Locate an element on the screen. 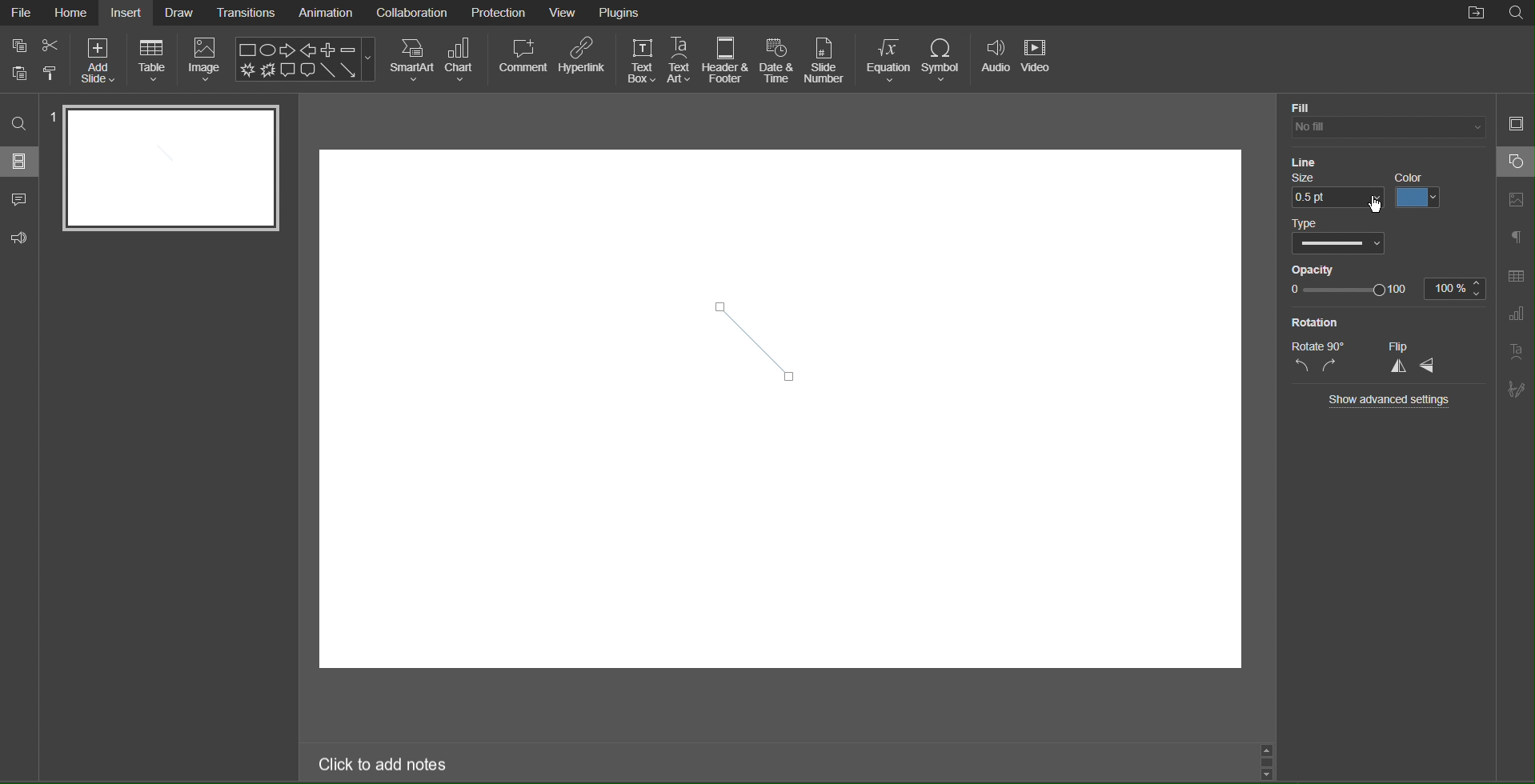  Opacity slider is located at coordinates (1348, 290).